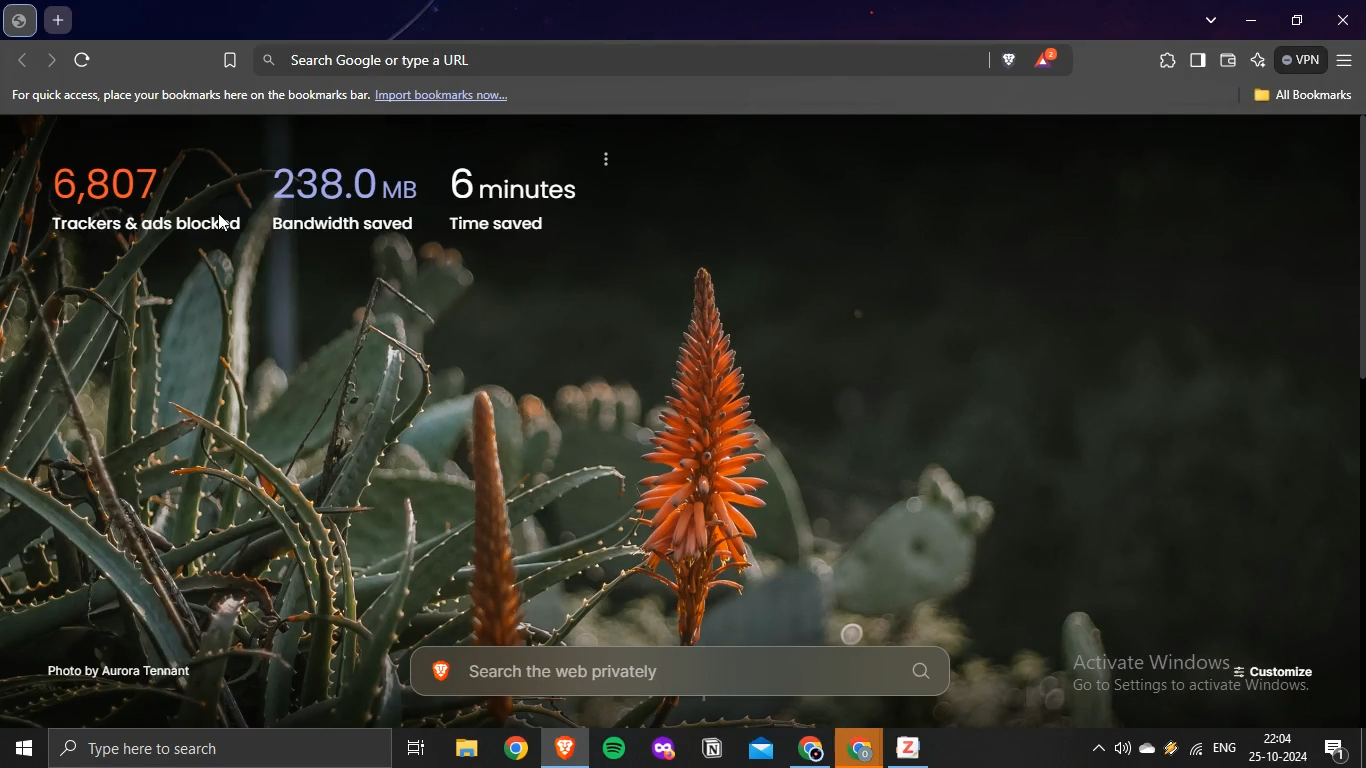 The image size is (1366, 768). Describe the element at coordinates (137, 671) in the screenshot. I see `photo by aurora` at that location.